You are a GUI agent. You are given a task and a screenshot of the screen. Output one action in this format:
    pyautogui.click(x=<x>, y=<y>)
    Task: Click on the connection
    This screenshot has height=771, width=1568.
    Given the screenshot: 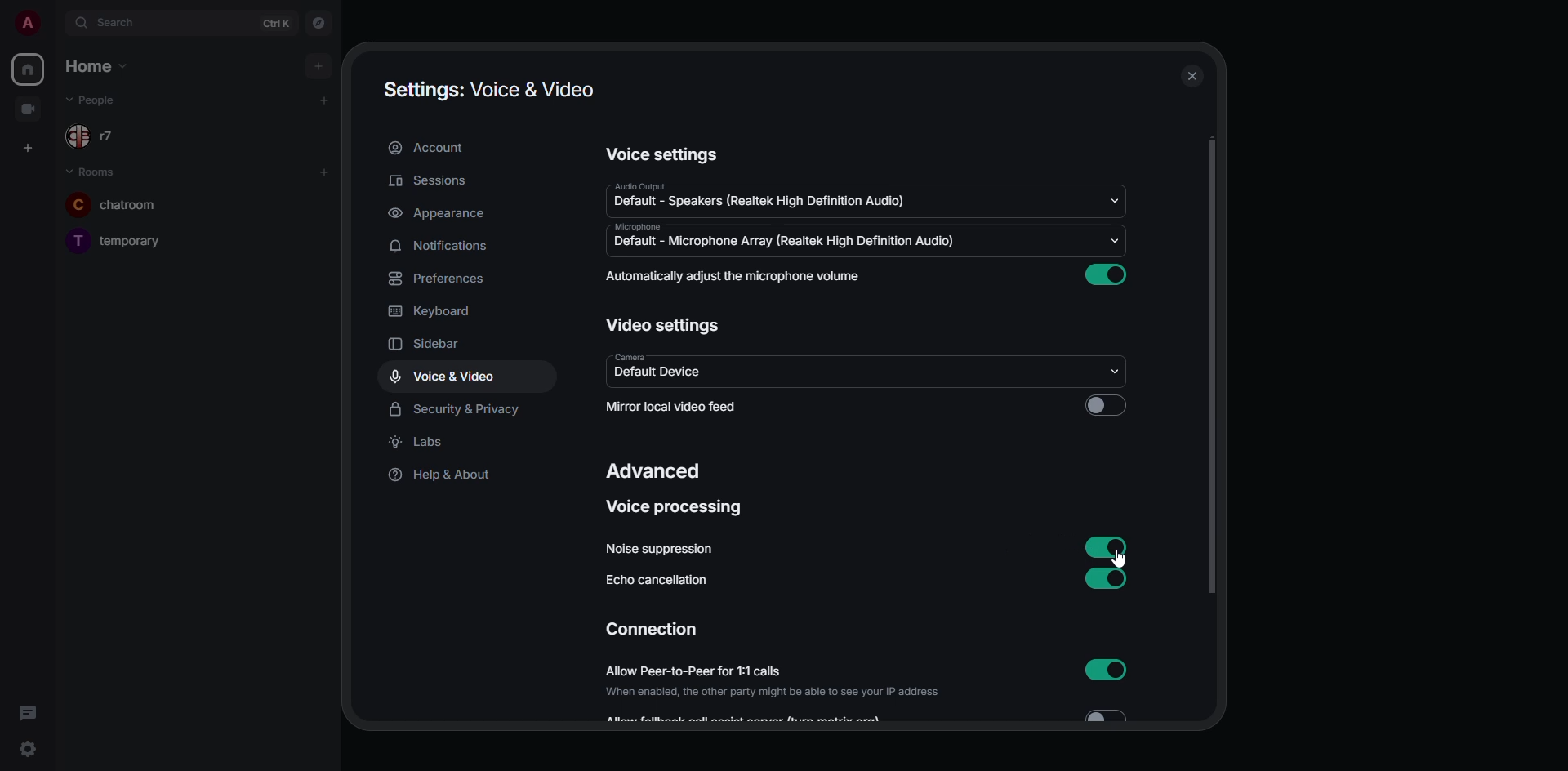 What is the action you would take?
    pyautogui.click(x=653, y=628)
    